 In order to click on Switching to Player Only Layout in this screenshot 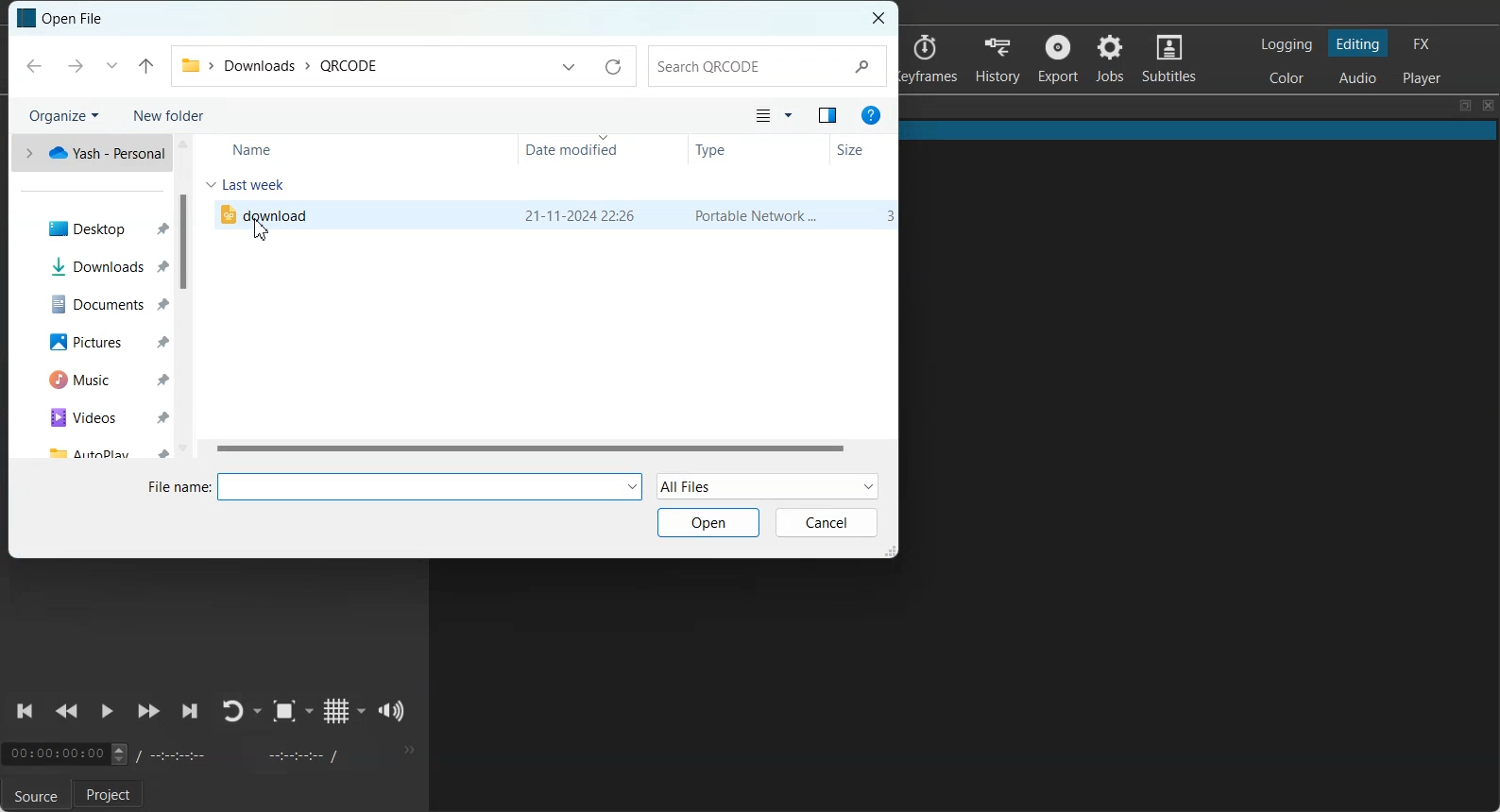, I will do `click(1424, 77)`.